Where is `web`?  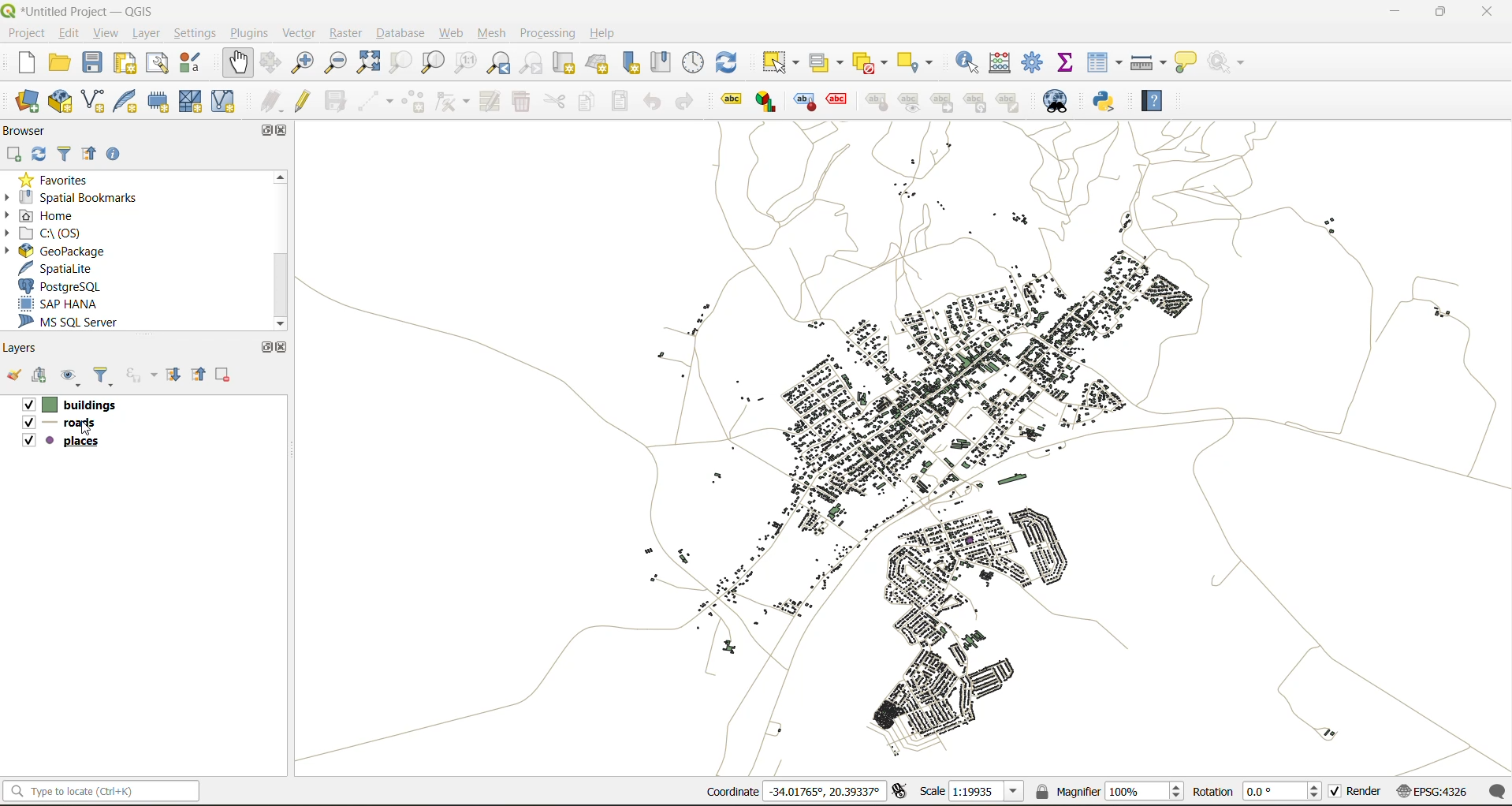 web is located at coordinates (455, 33).